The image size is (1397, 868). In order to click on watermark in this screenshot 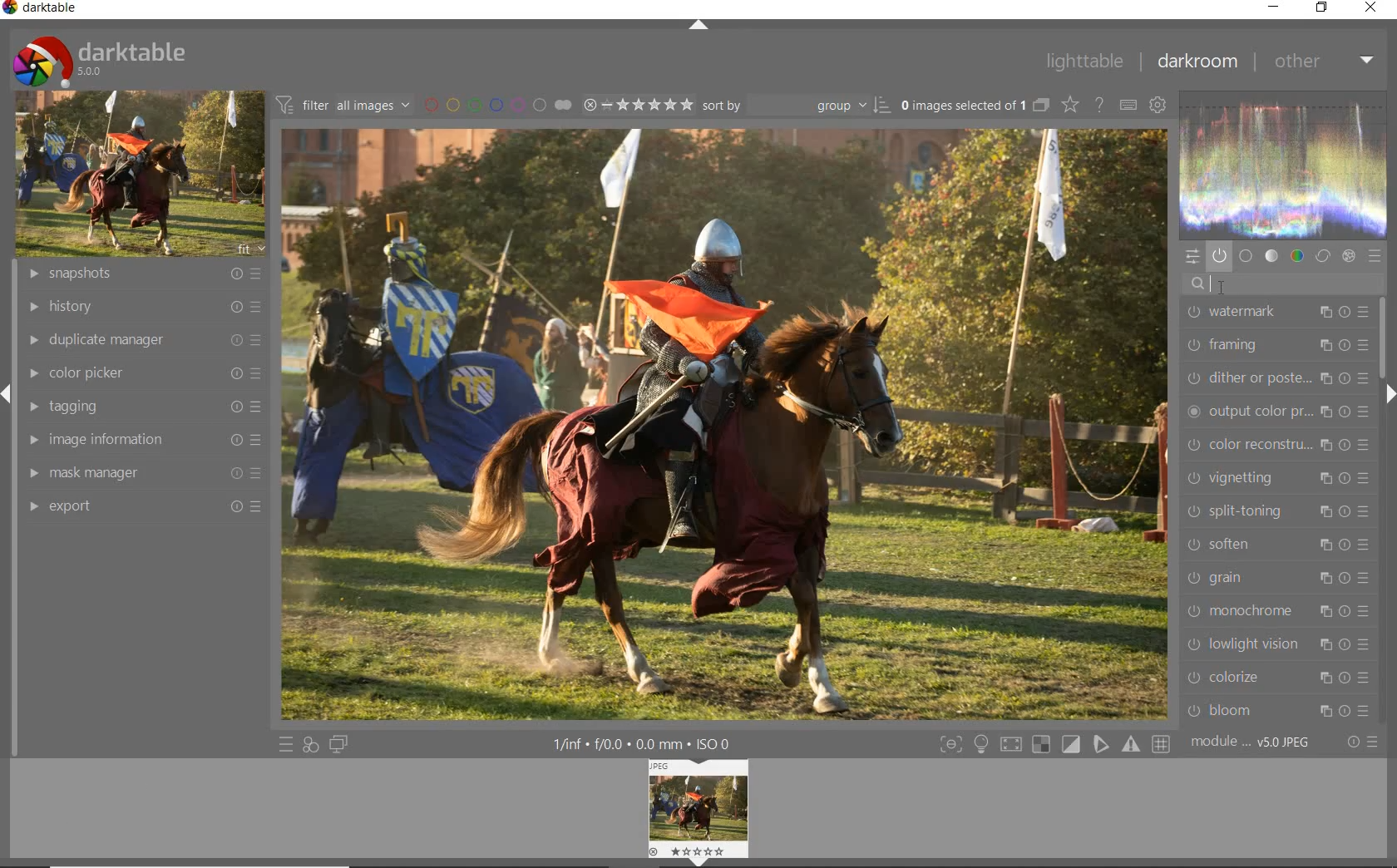, I will do `click(1275, 313)`.